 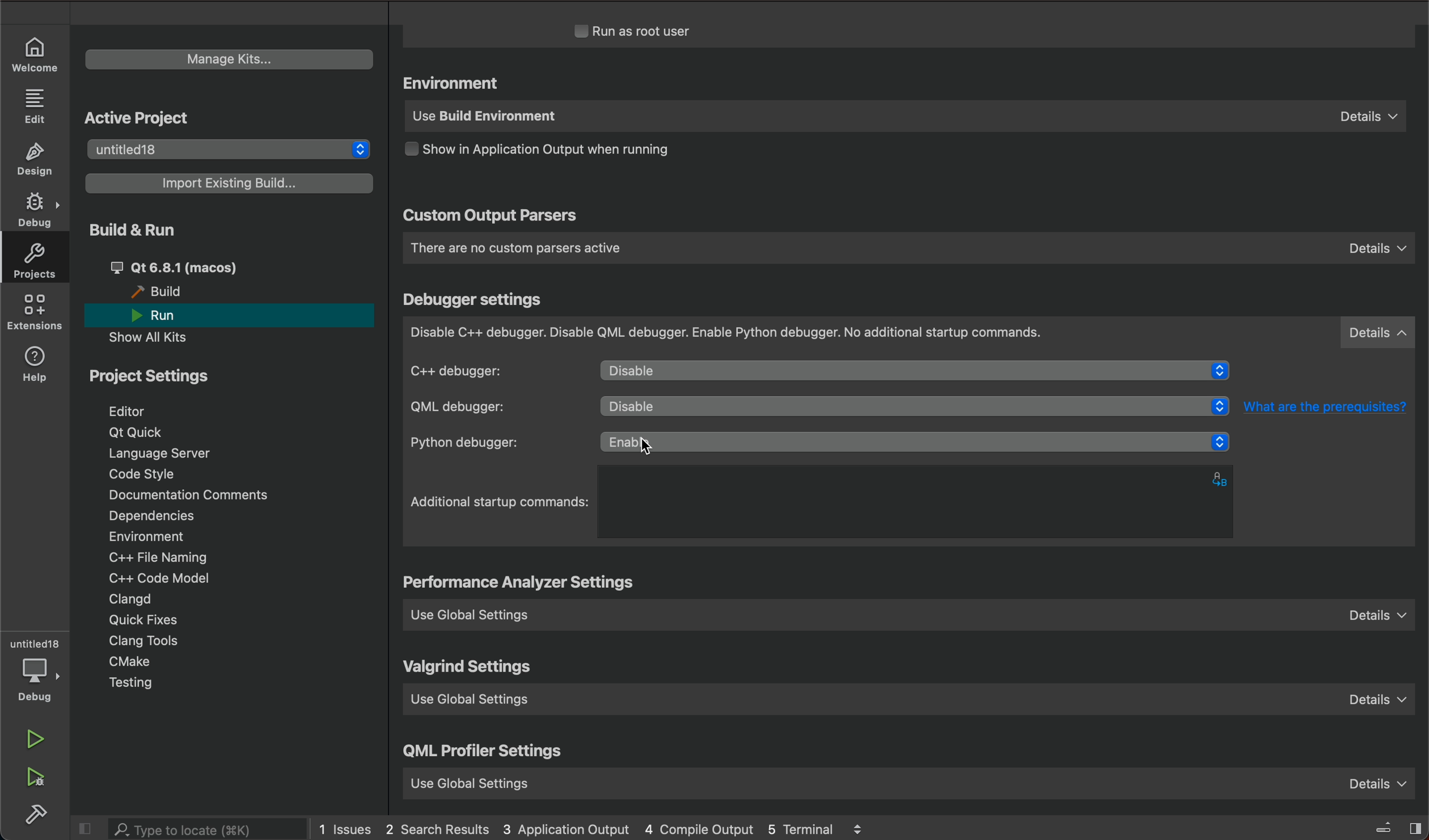 What do you see at coordinates (485, 407) in the screenshot?
I see `qml debugger` at bounding box center [485, 407].